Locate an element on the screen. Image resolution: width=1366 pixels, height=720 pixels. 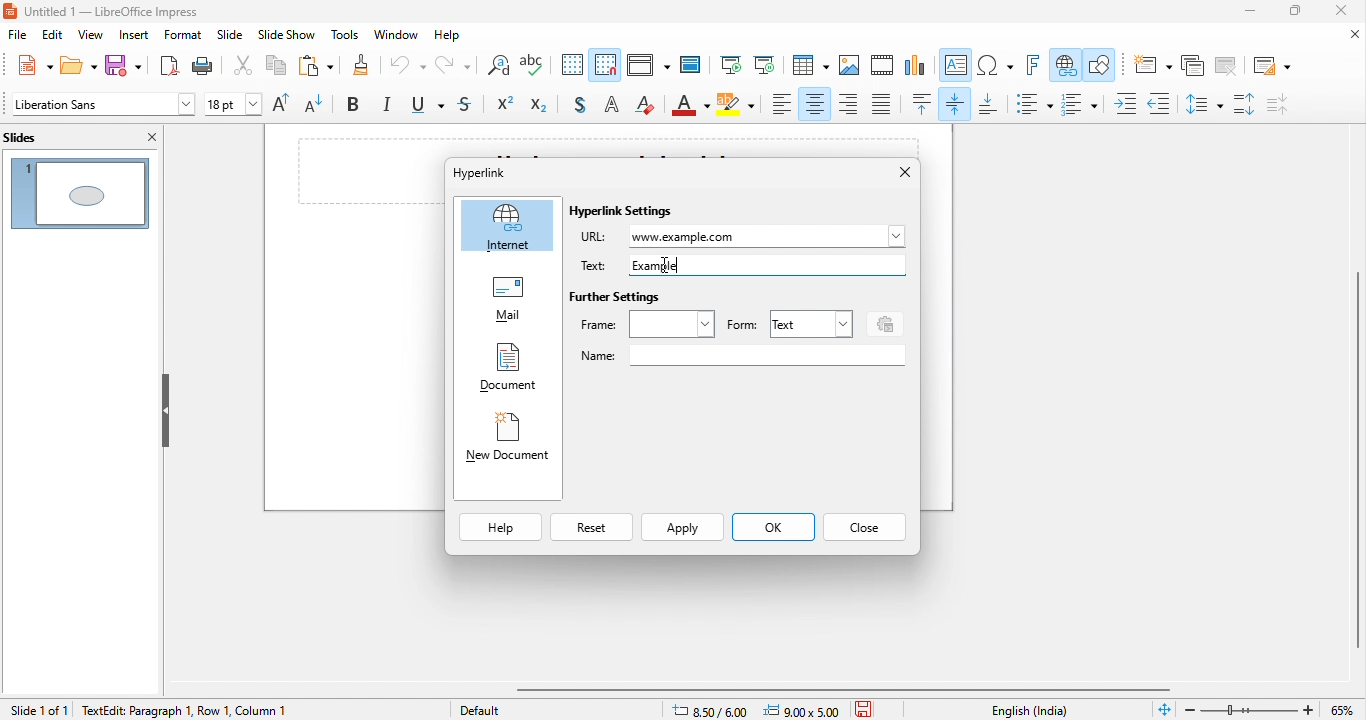
hide is located at coordinates (165, 410).